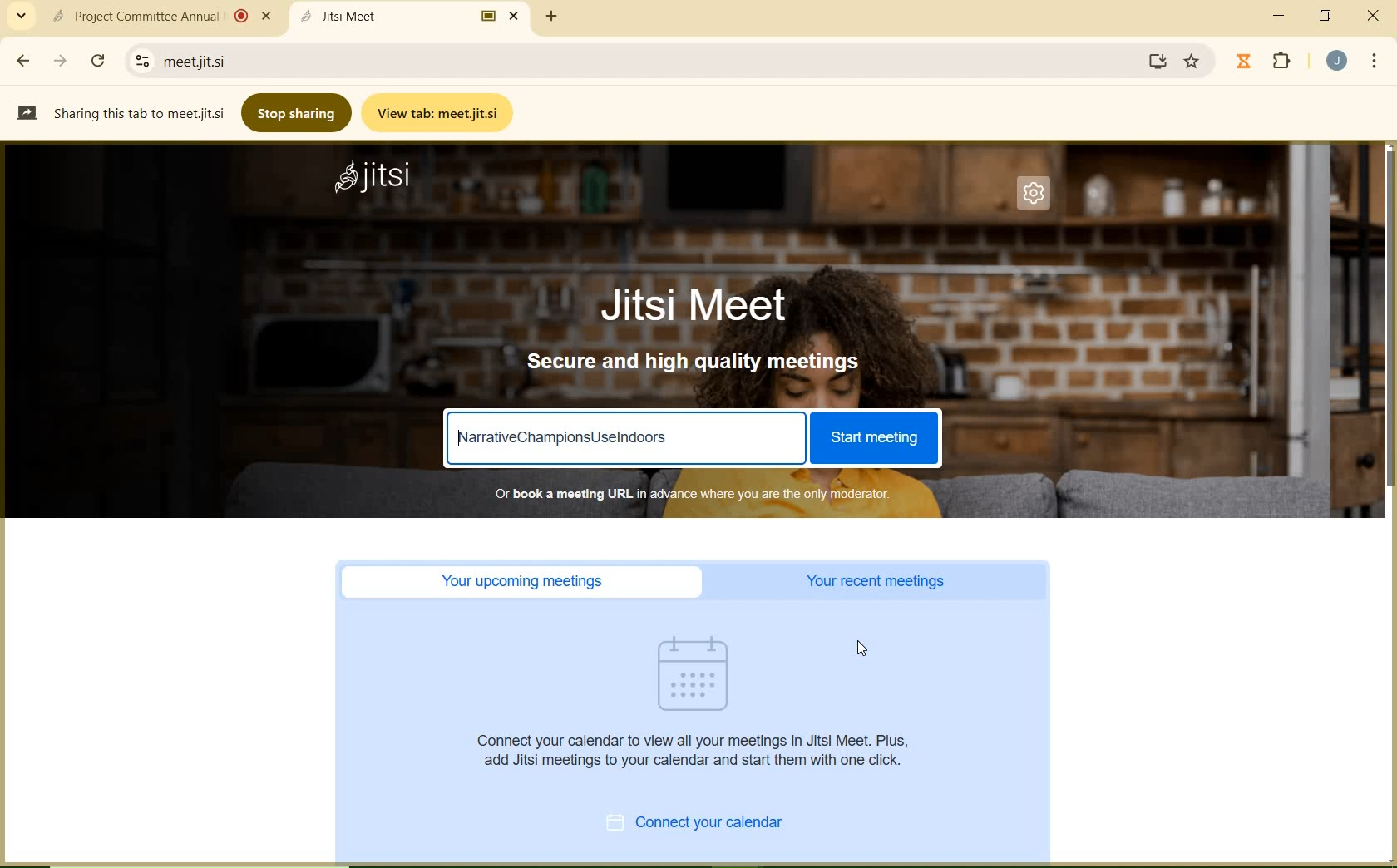  What do you see at coordinates (98, 60) in the screenshot?
I see `reload` at bounding box center [98, 60].